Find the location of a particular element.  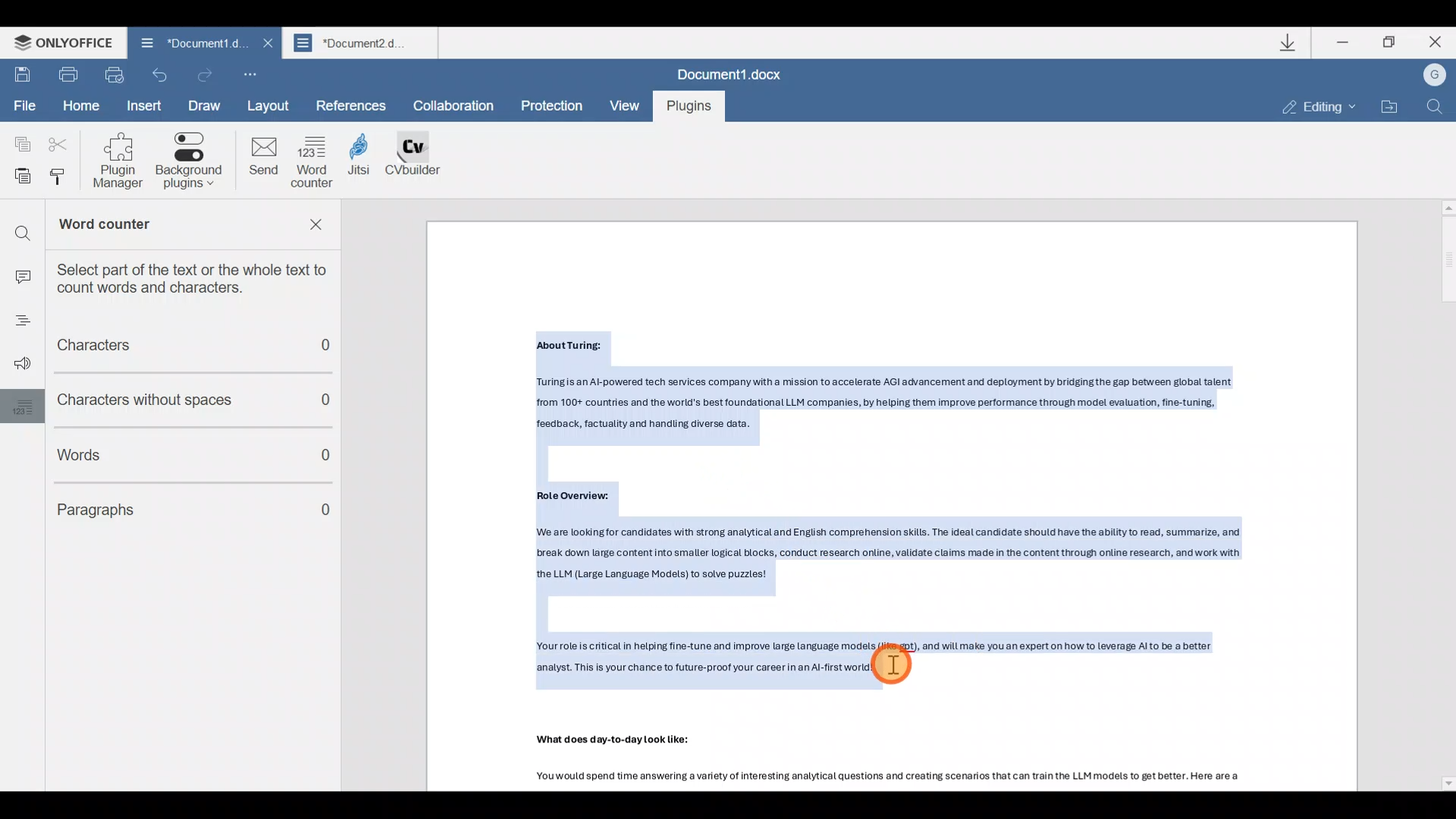

Role Overview:

‘We are looking for candidates with strong analytical and English comprehension skills. The ideal candidate should have the ability to read, summarize, and
pra am oe sar gent otc ms iis lc te Ban 1g ear, ert
ne Lrg Longuage ios o steps] is located at coordinates (905, 541).